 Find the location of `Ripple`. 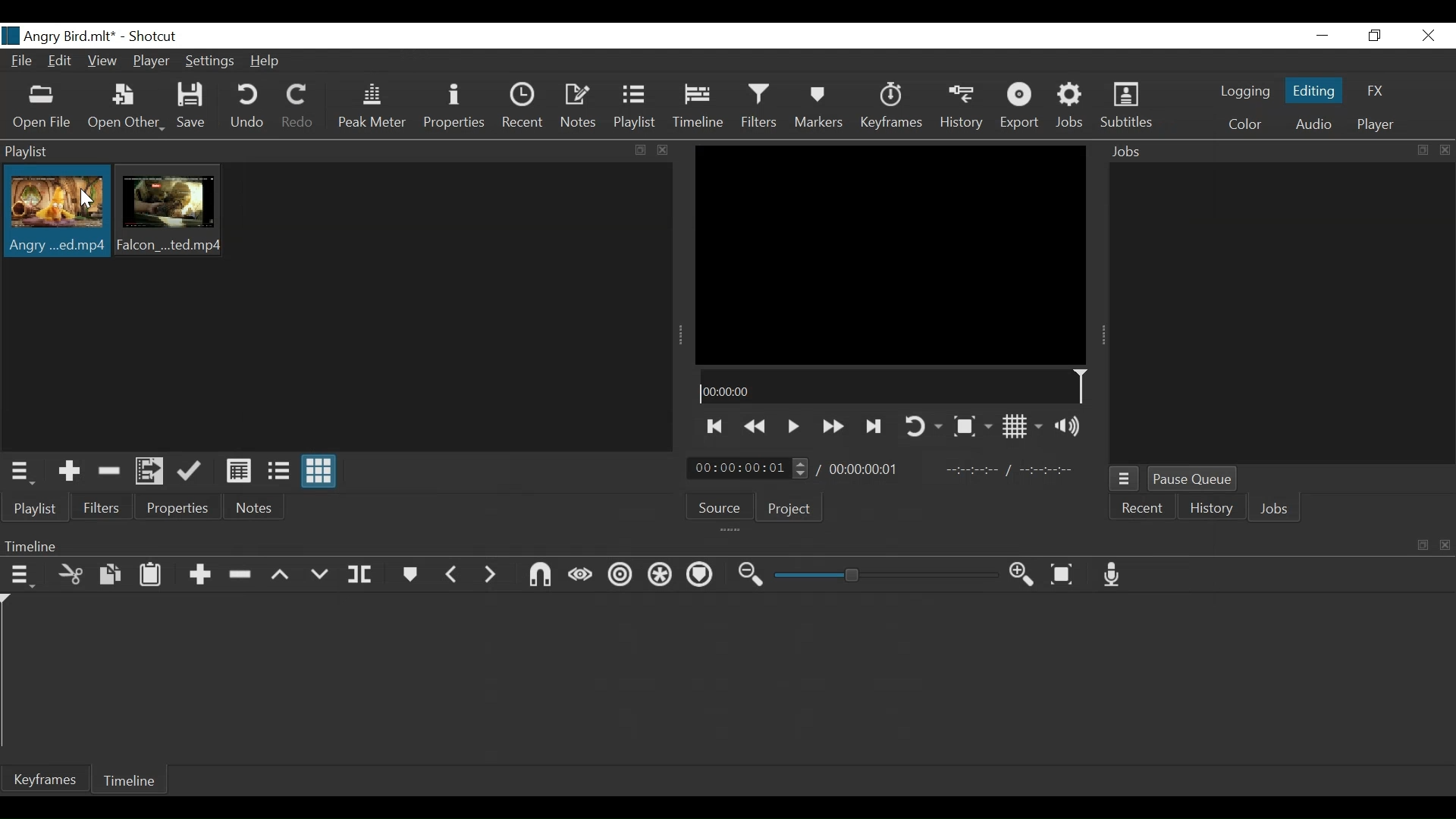

Ripple is located at coordinates (622, 576).